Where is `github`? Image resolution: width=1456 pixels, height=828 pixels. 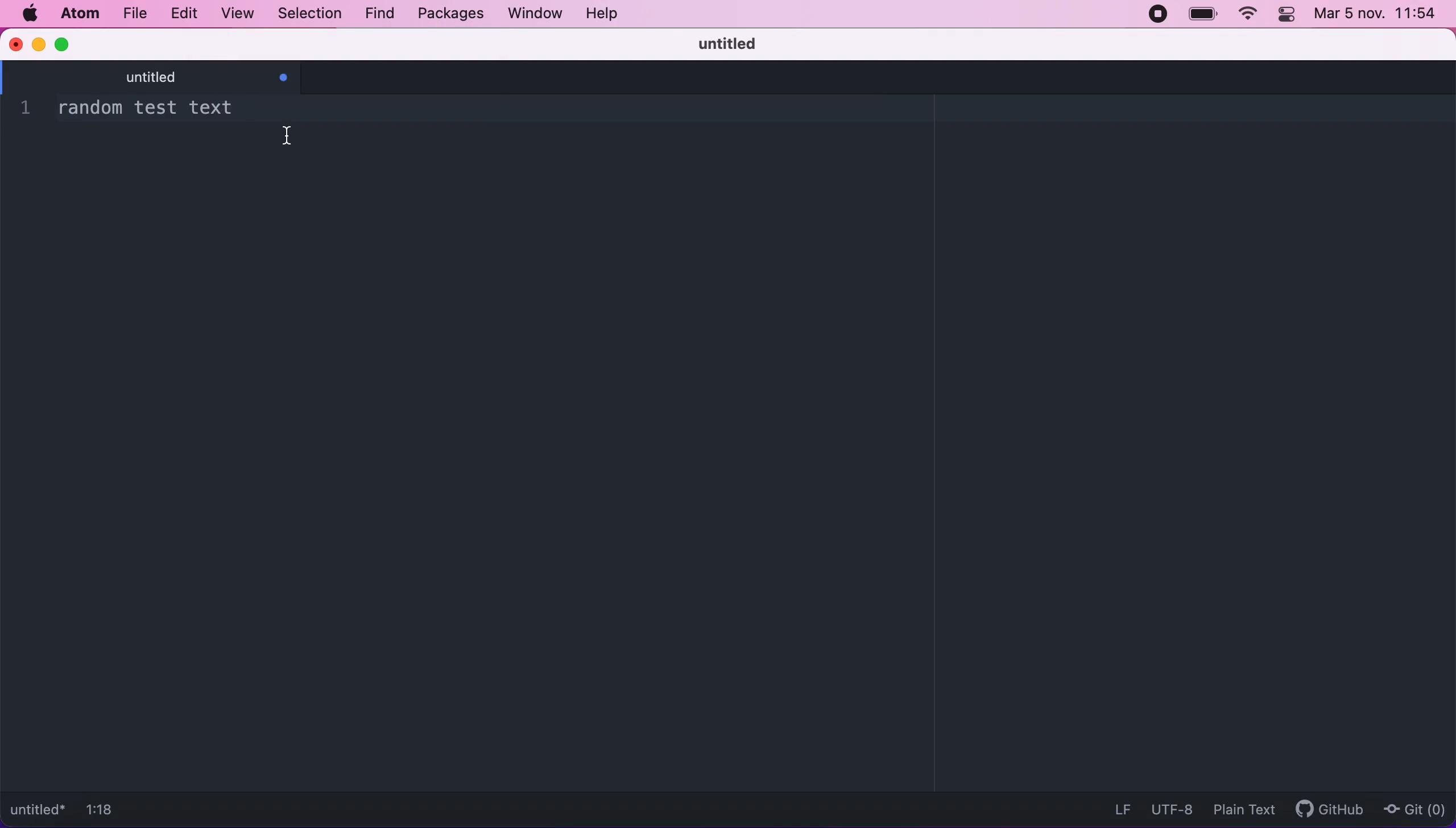 github is located at coordinates (1324, 811).